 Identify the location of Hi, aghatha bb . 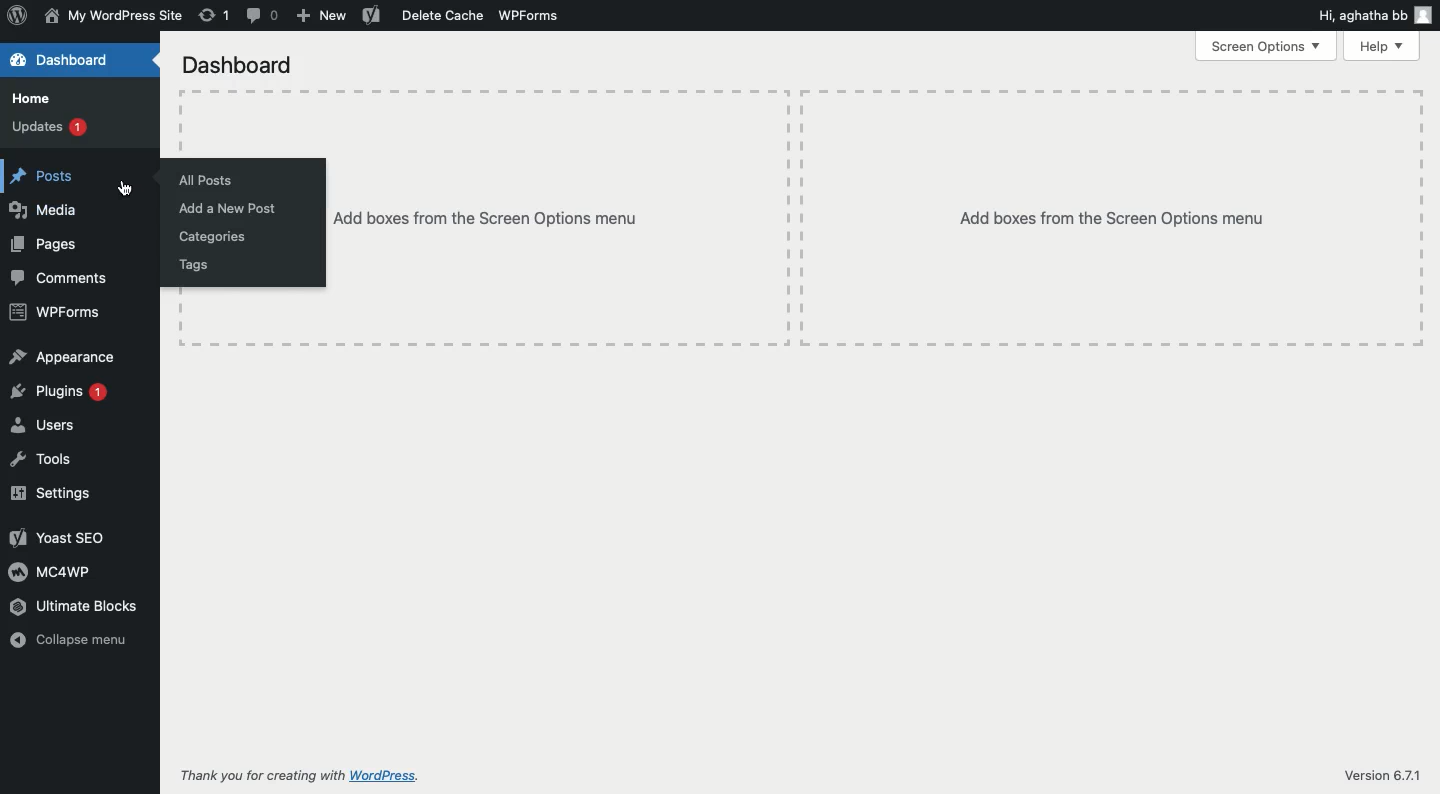
(1374, 15).